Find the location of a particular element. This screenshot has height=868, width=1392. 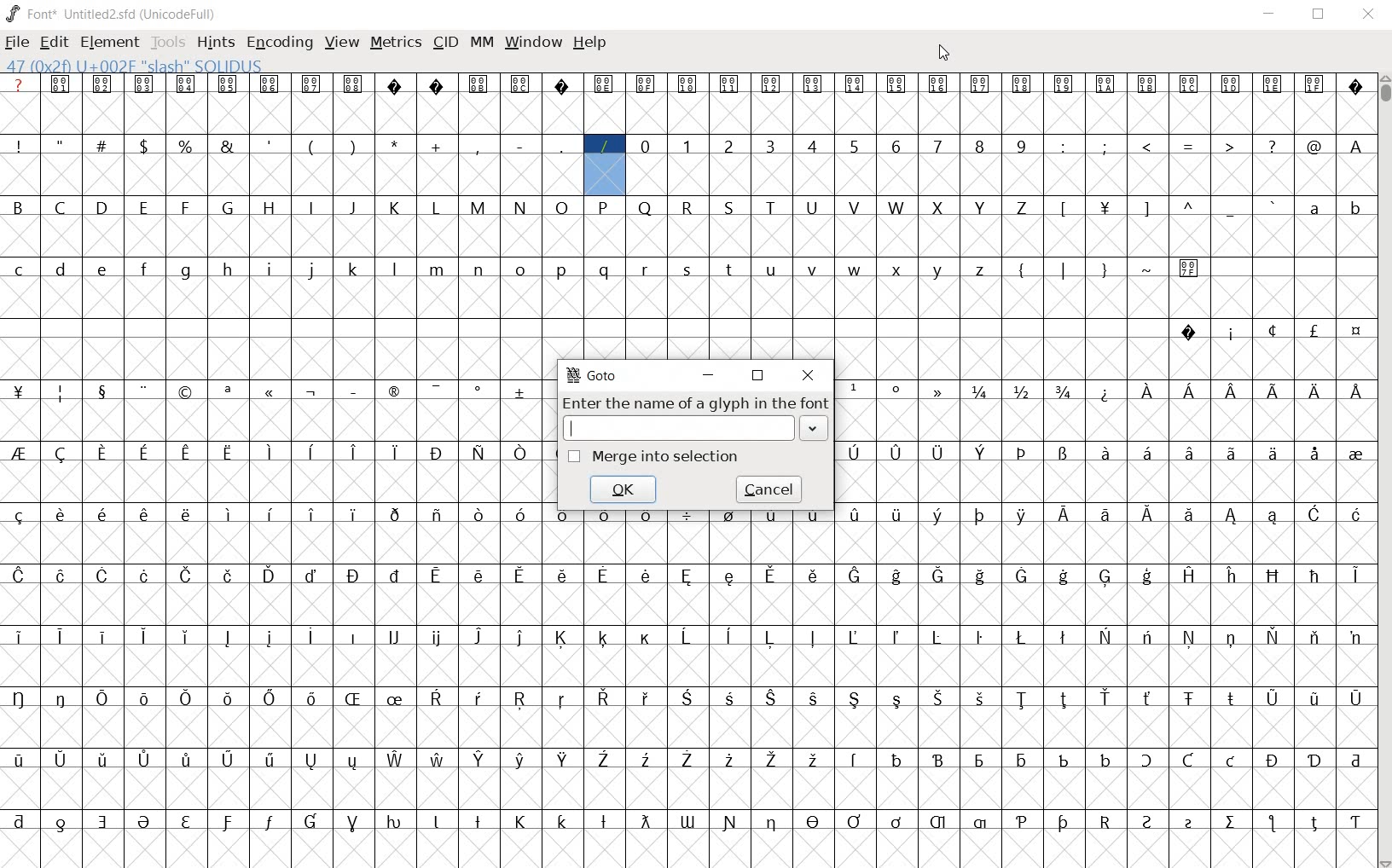

glyph is located at coordinates (604, 822).